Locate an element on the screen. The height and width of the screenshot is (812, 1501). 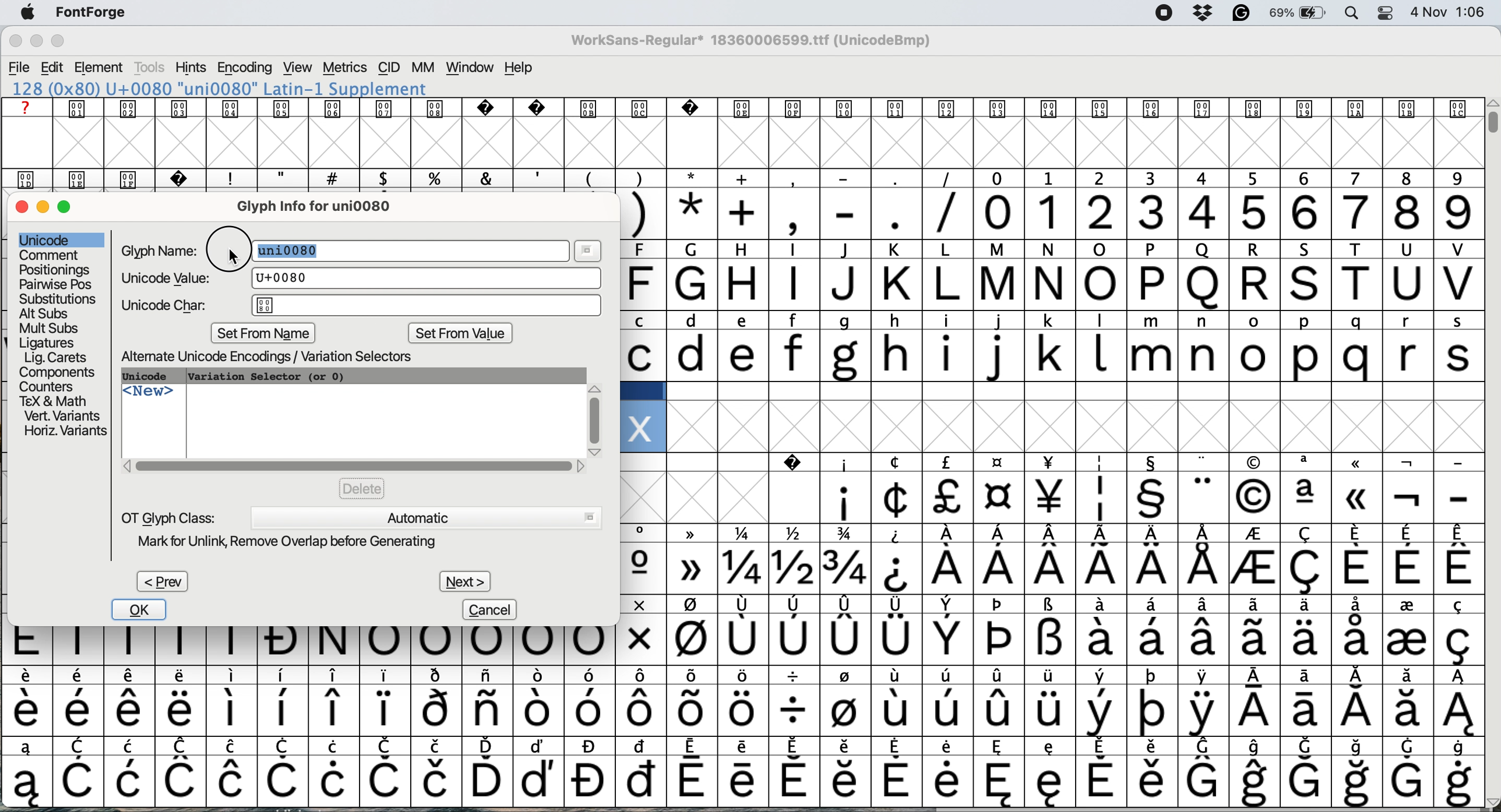
maximise is located at coordinates (65, 43).